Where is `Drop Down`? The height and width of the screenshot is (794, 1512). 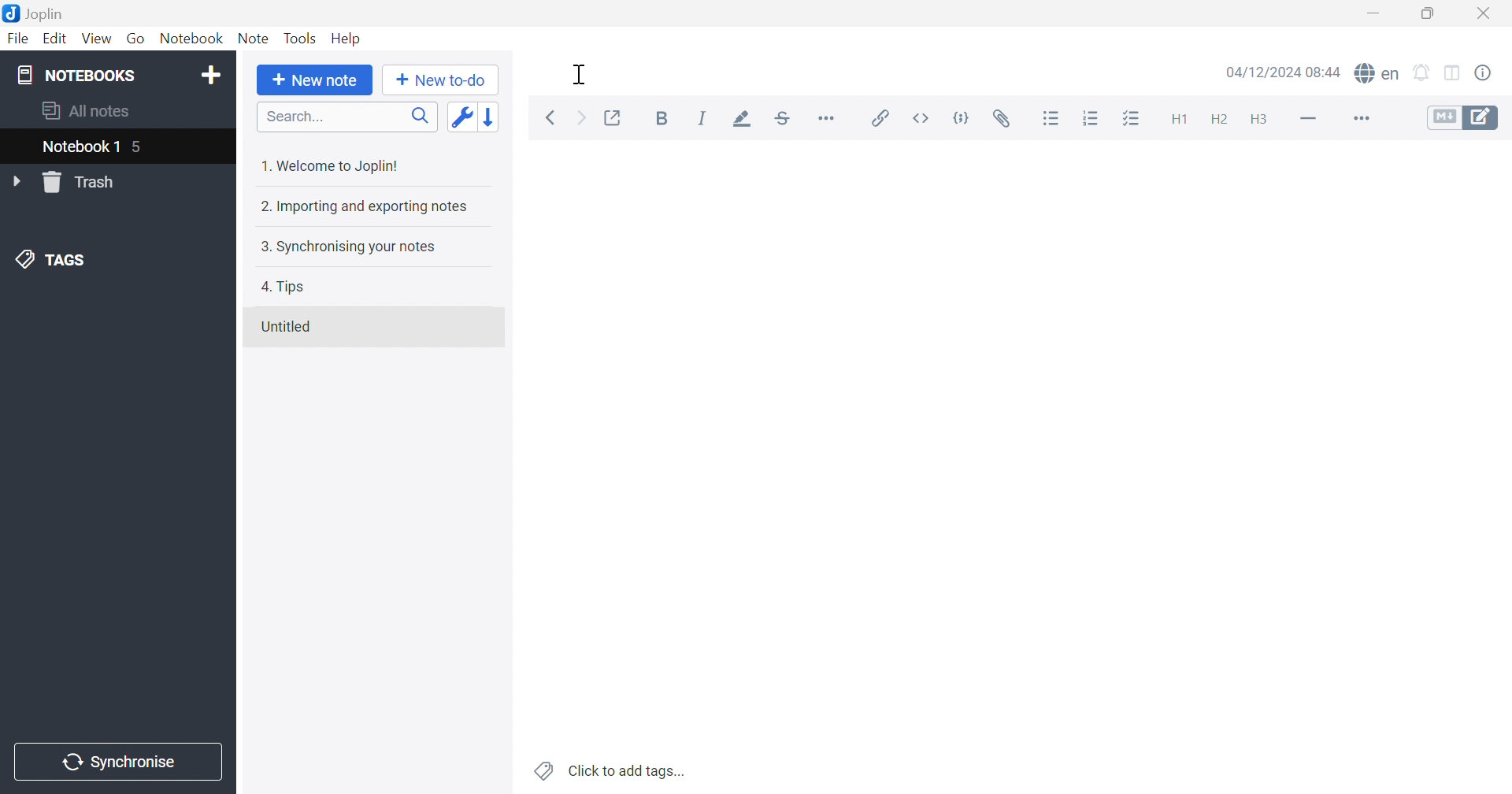 Drop Down is located at coordinates (17, 182).